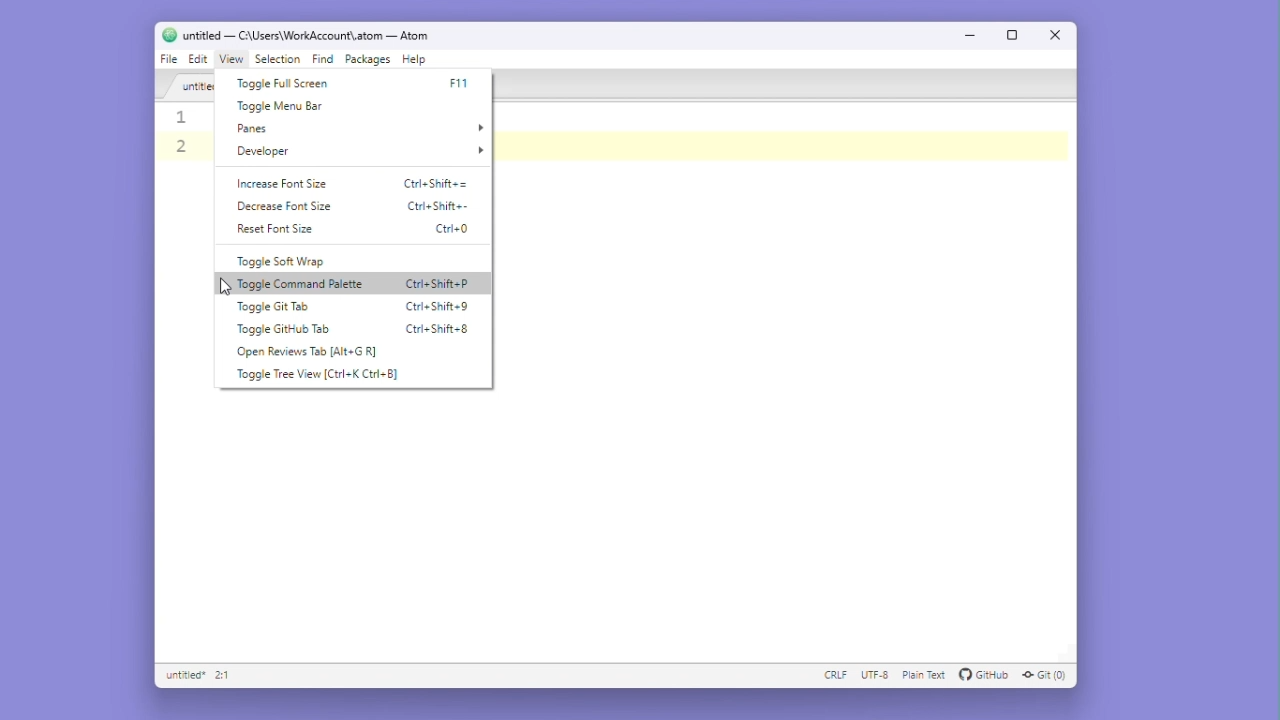 Image resolution: width=1280 pixels, height=720 pixels. What do you see at coordinates (183, 676) in the screenshot?
I see `untitled*` at bounding box center [183, 676].